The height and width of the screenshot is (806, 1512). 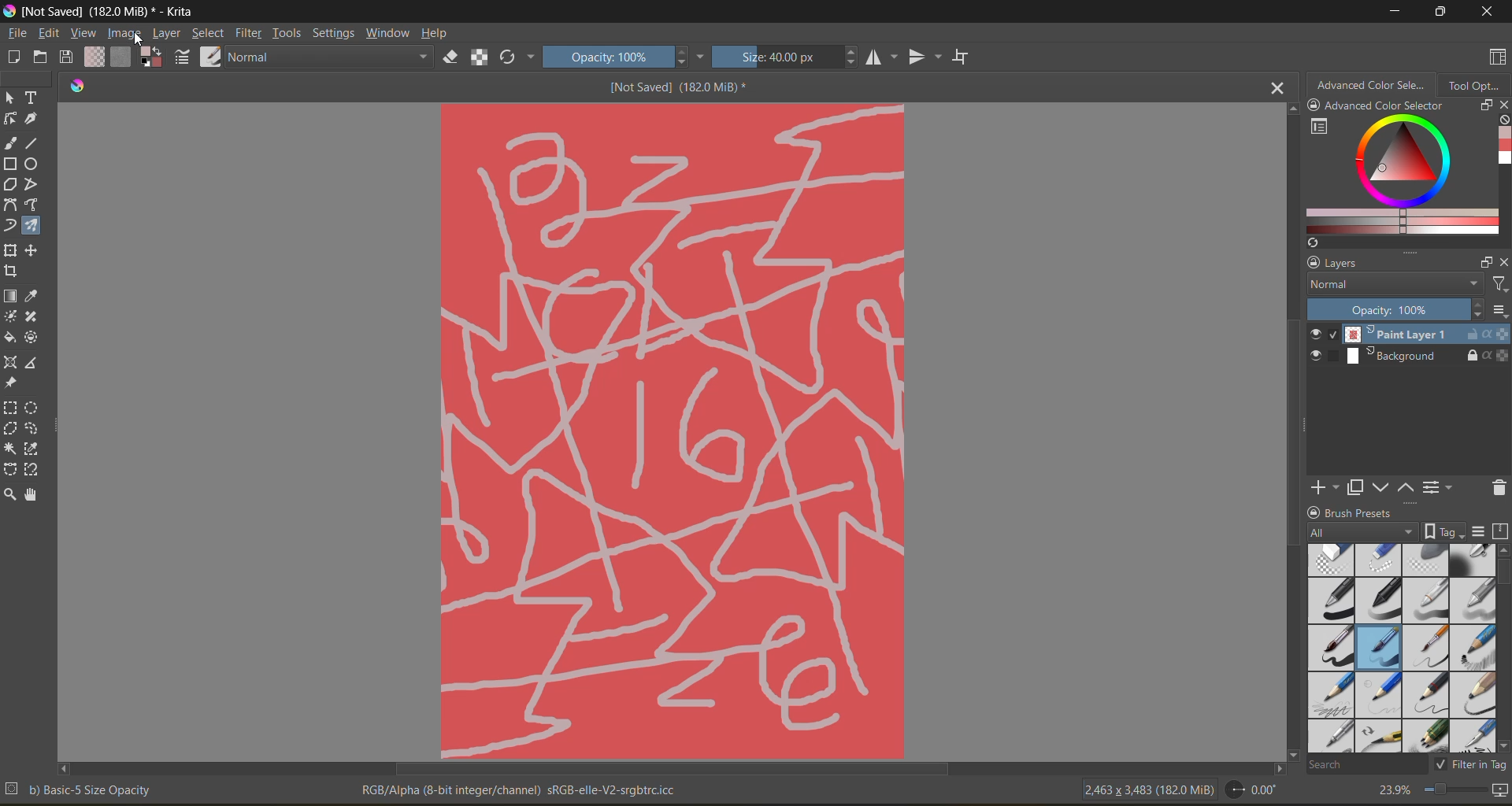 I want to click on scroll down, so click(x=1291, y=752).